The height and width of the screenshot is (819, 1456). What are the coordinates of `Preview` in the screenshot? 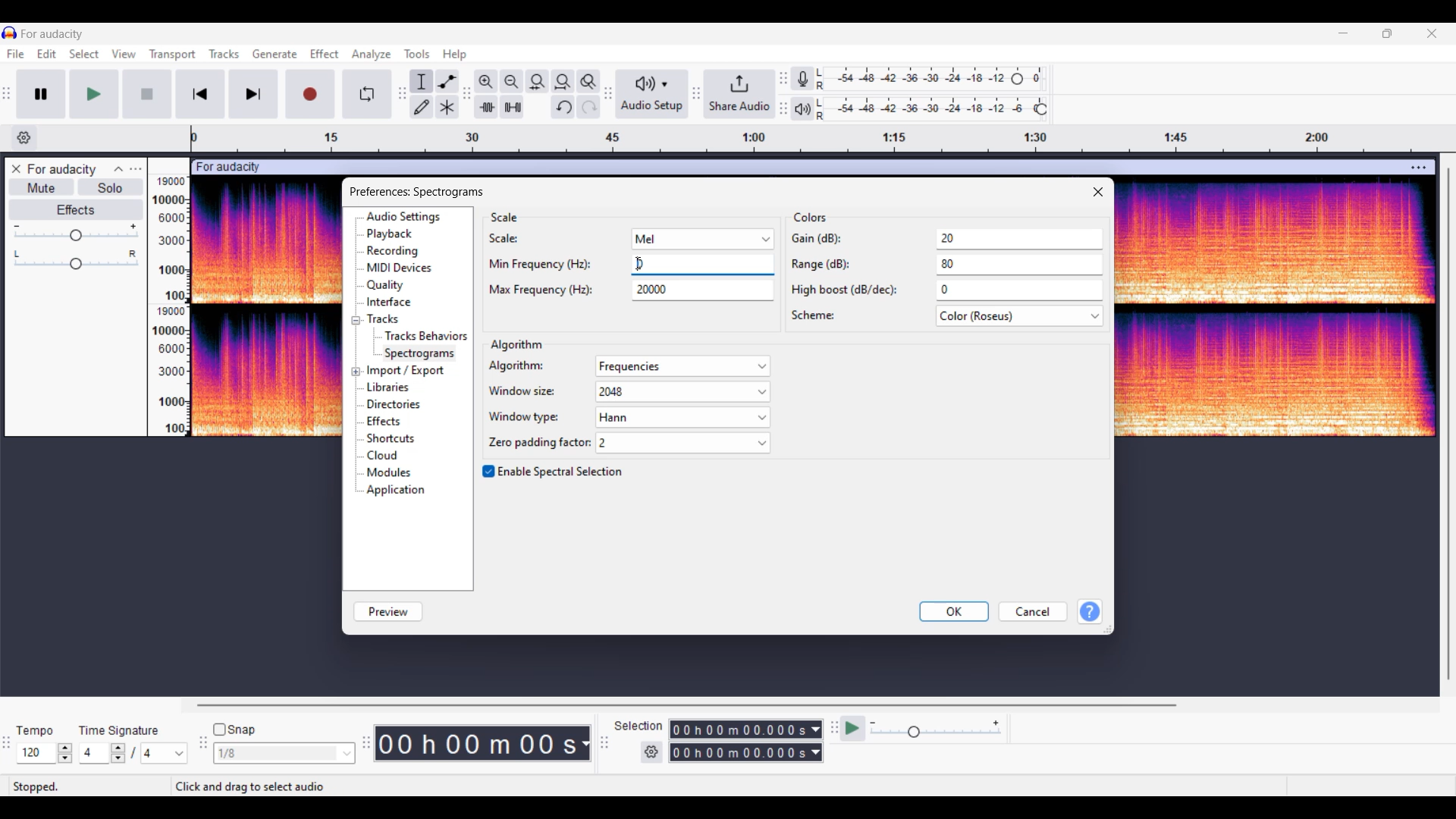 It's located at (388, 612).